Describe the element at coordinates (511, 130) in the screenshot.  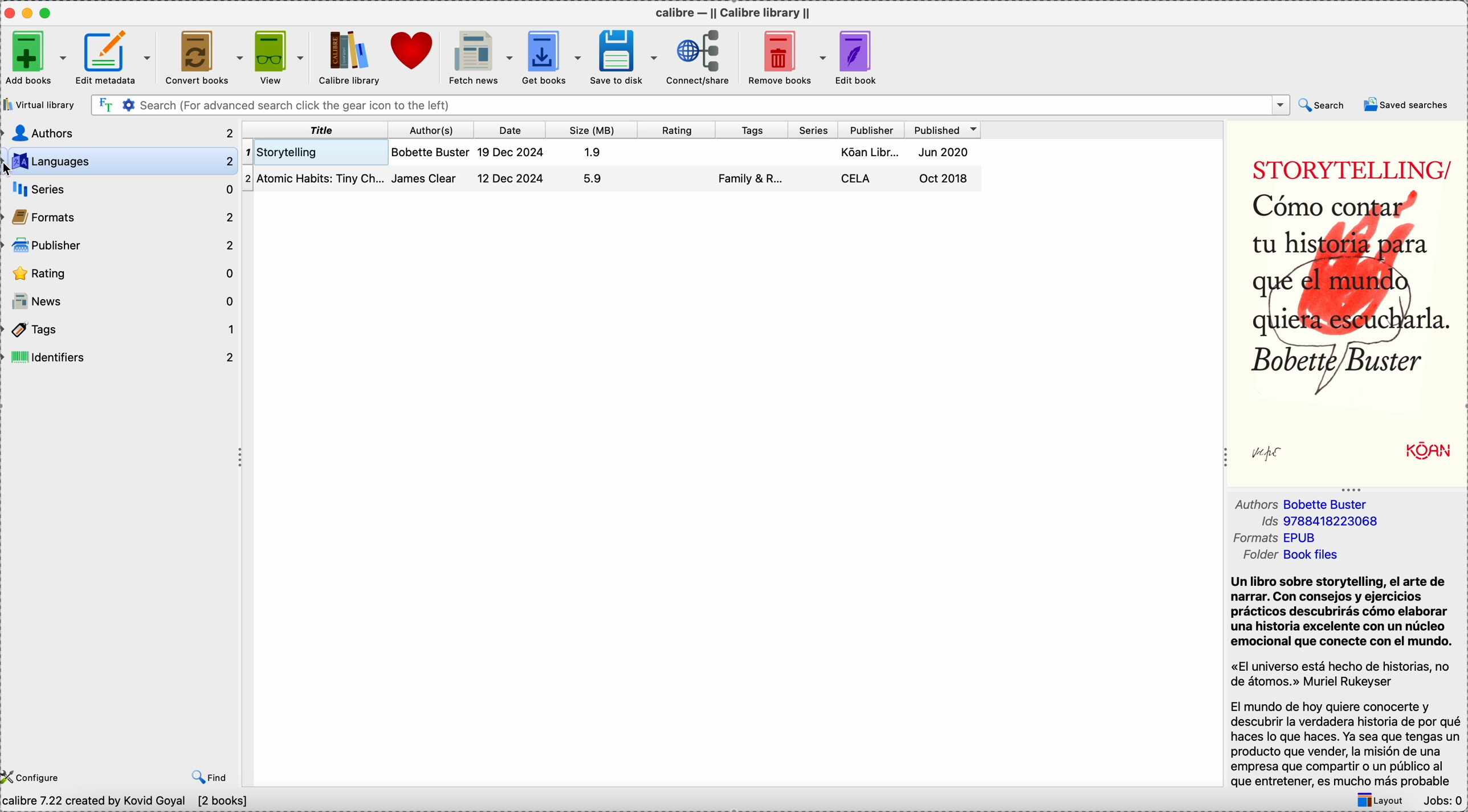
I see `date` at that location.